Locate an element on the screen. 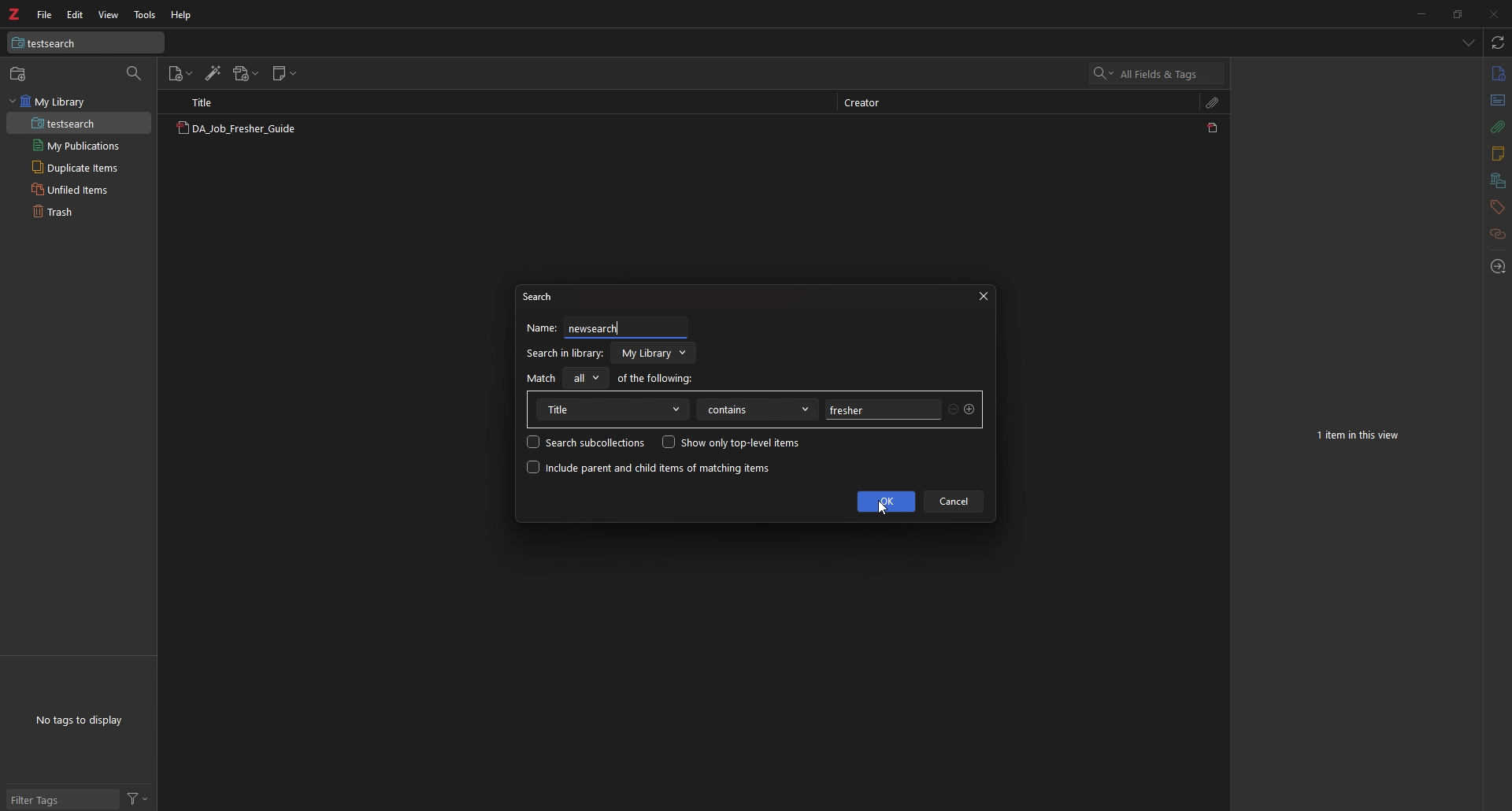 This screenshot has height=811, width=1512. help is located at coordinates (182, 16).